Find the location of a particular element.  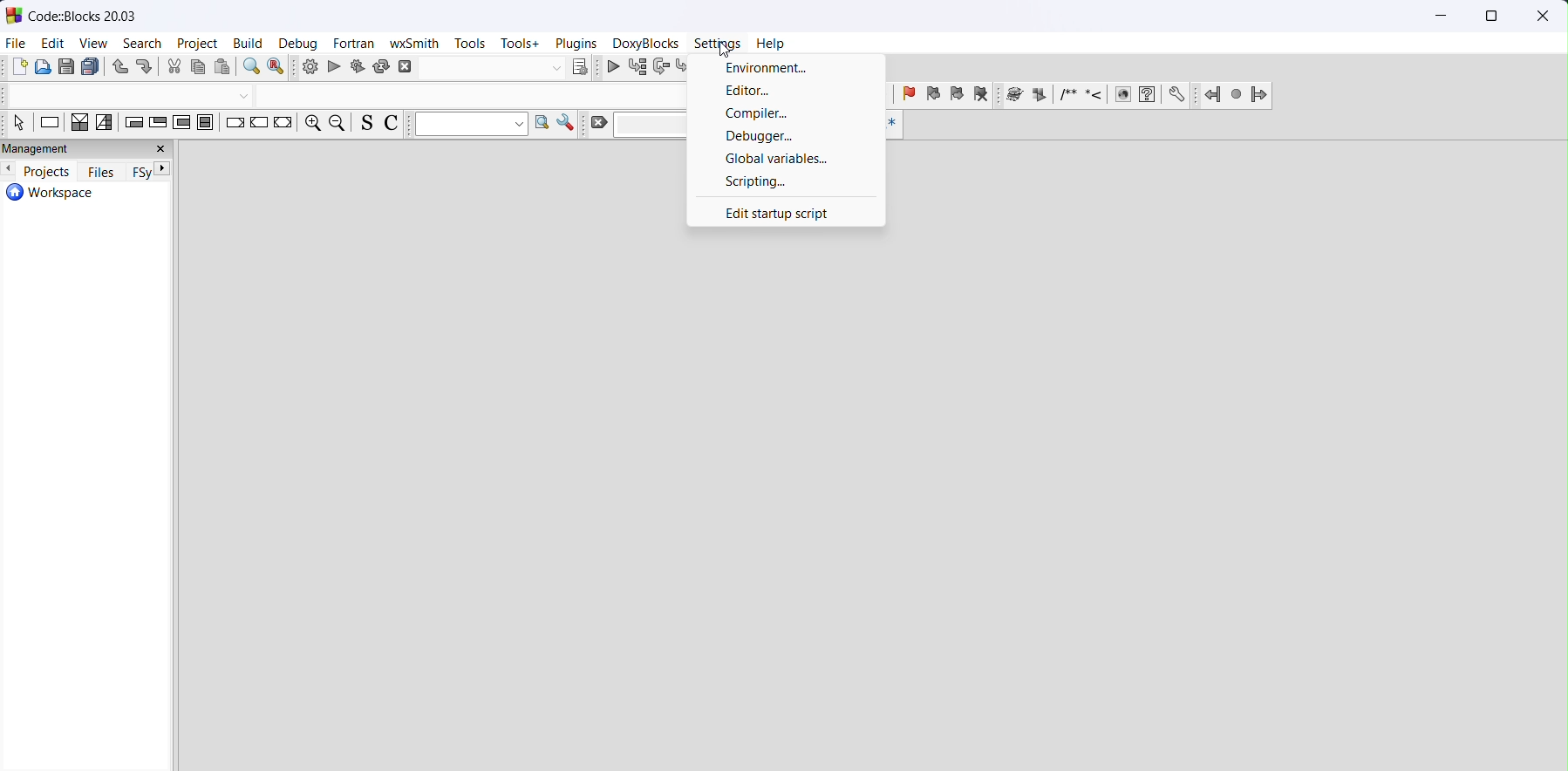

next  is located at coordinates (163, 168).